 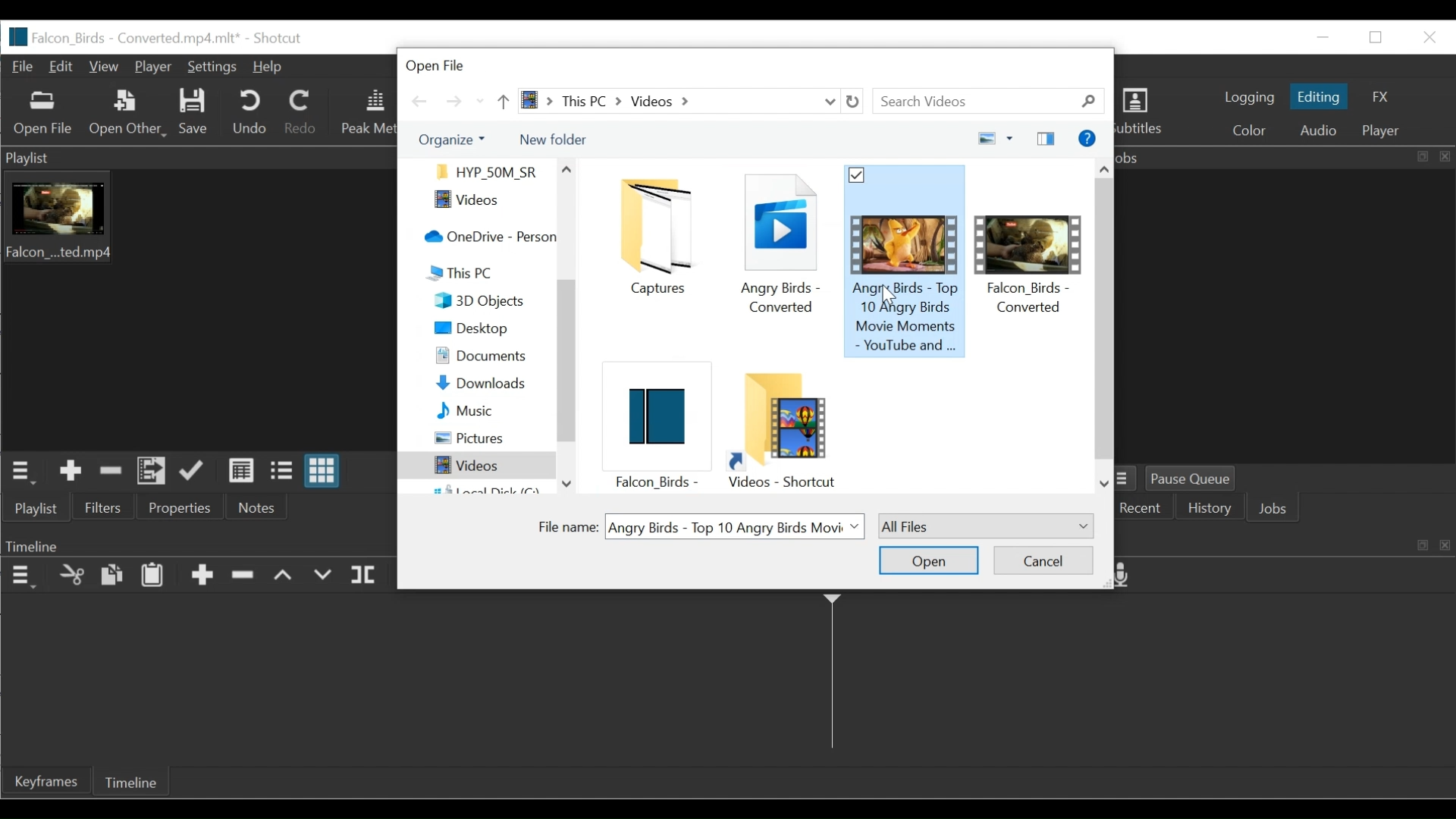 I want to click on View as details, so click(x=243, y=472).